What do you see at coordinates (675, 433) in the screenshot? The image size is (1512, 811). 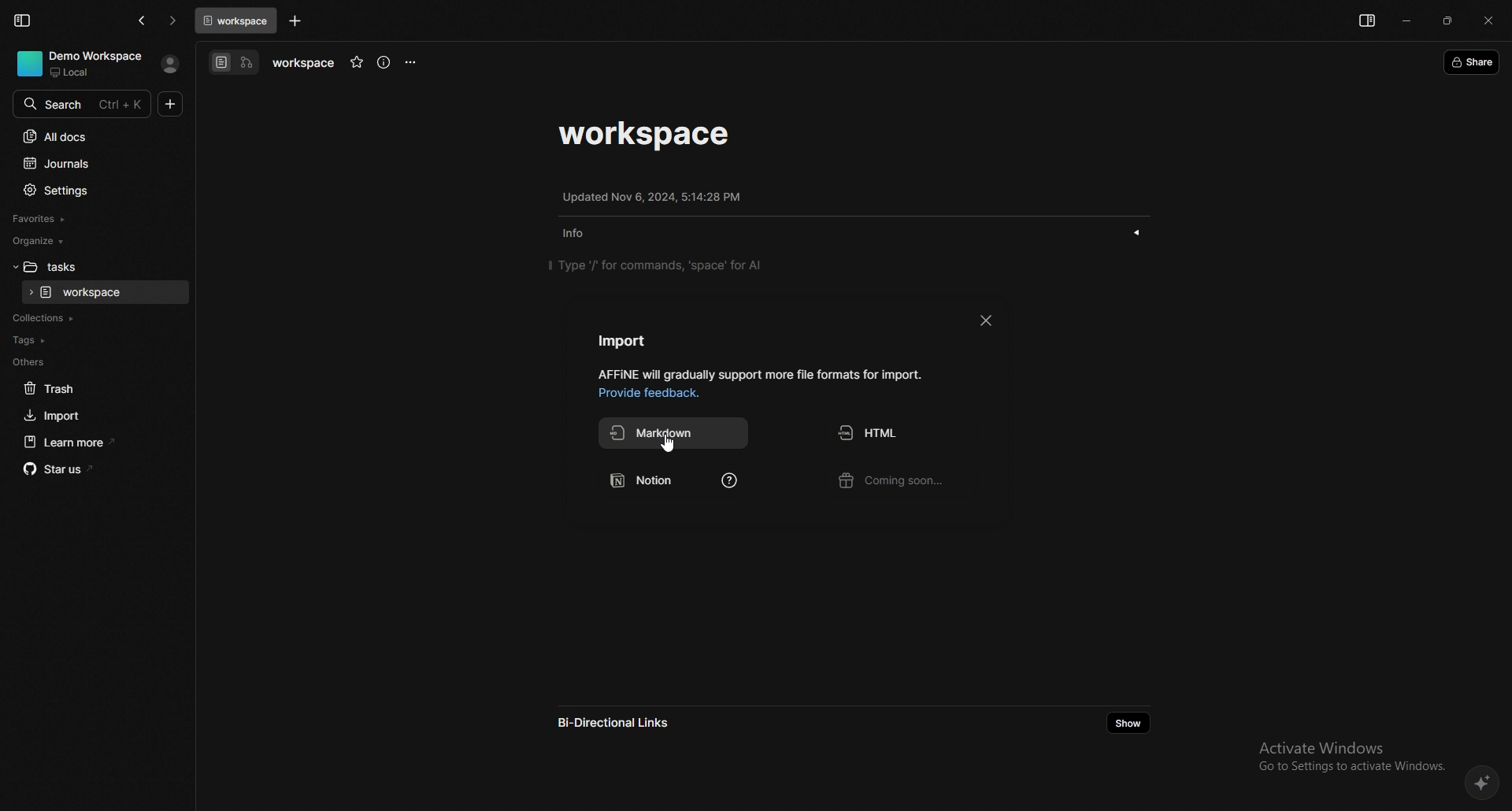 I see `markdown` at bounding box center [675, 433].